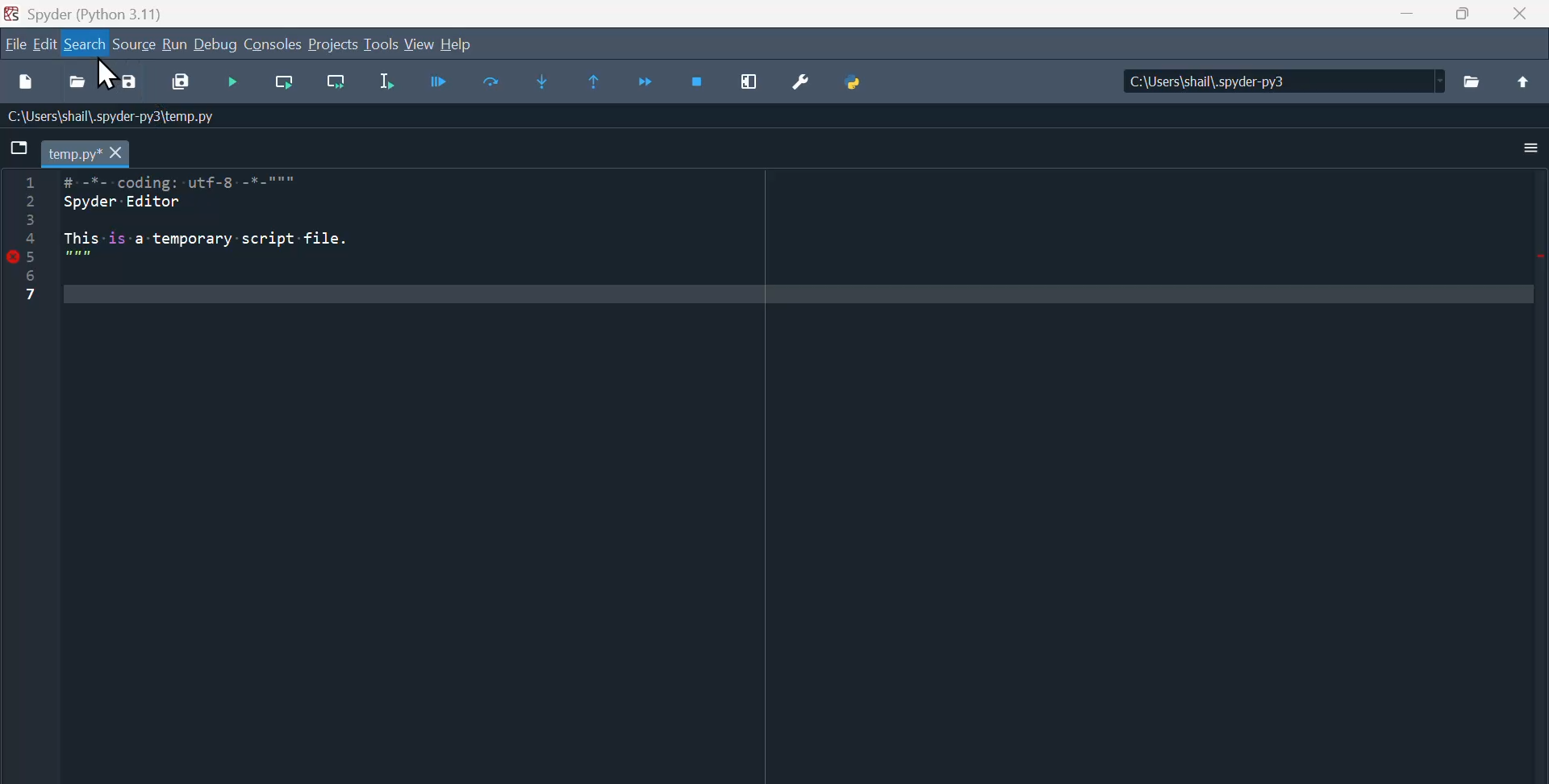 Image resolution: width=1549 pixels, height=784 pixels. Describe the element at coordinates (218, 47) in the screenshot. I see `Debug` at that location.